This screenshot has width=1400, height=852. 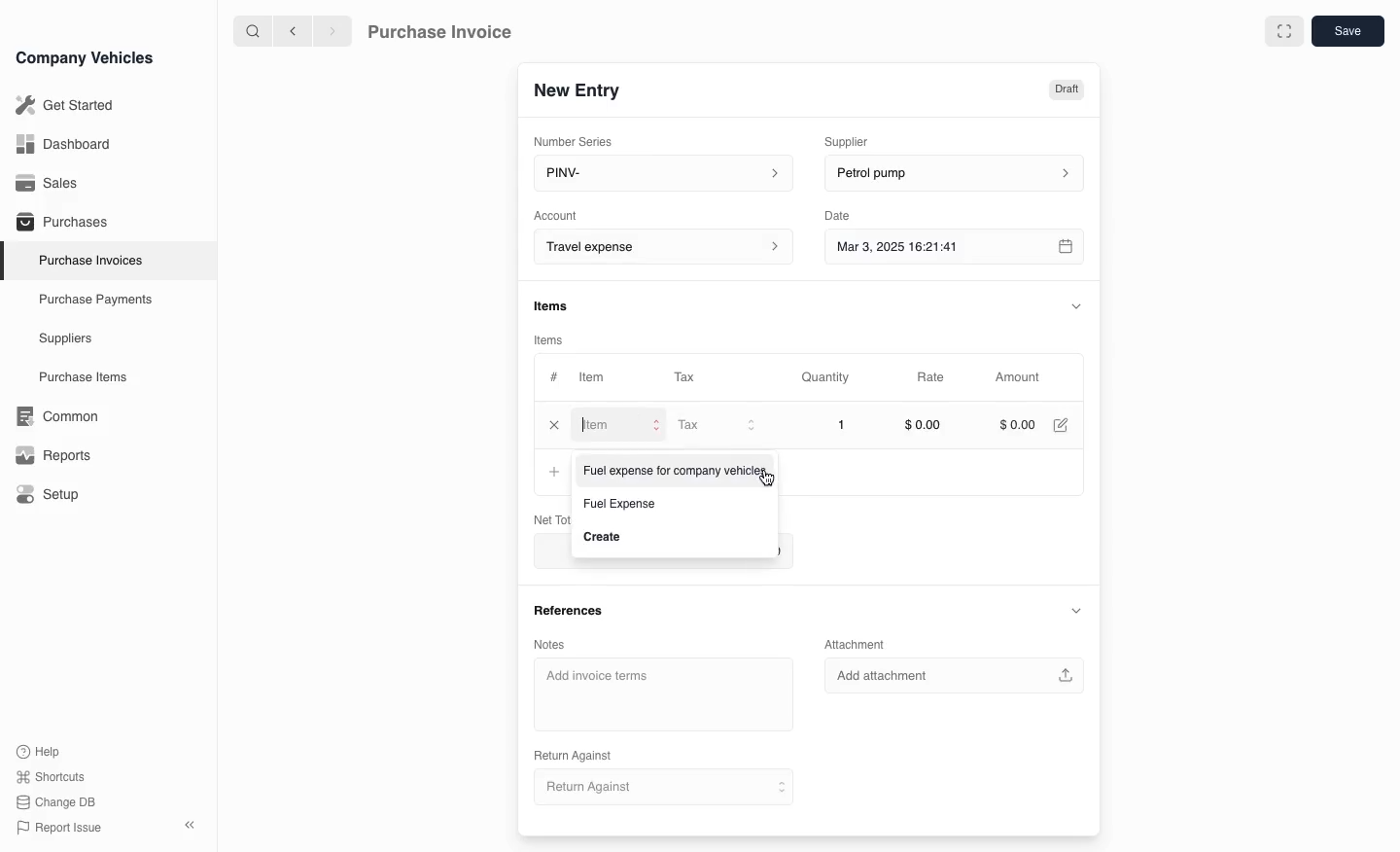 What do you see at coordinates (291, 30) in the screenshot?
I see `previous` at bounding box center [291, 30].